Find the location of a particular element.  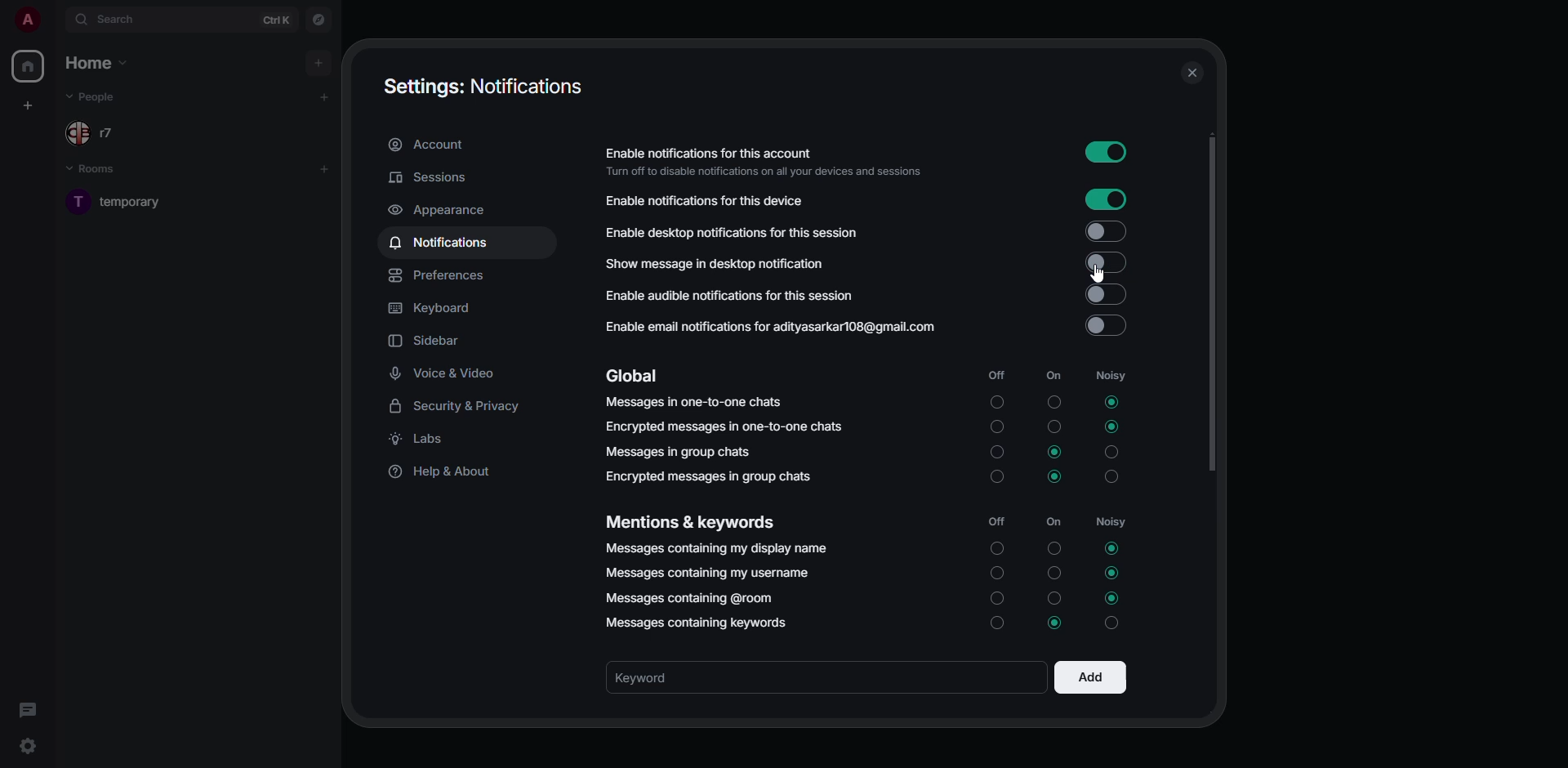

keyword is located at coordinates (659, 677).